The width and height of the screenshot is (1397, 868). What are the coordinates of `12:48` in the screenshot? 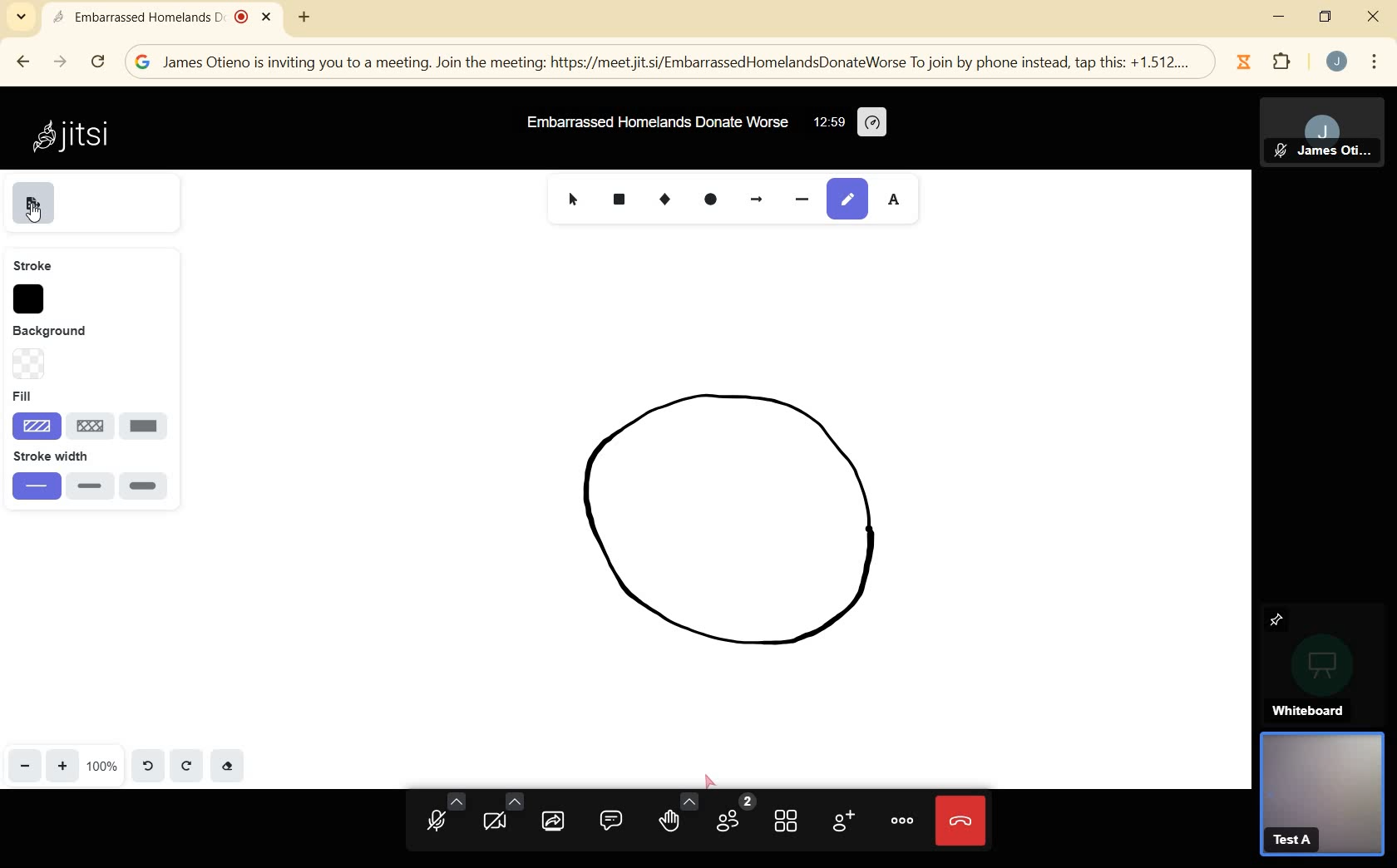 It's located at (827, 123).